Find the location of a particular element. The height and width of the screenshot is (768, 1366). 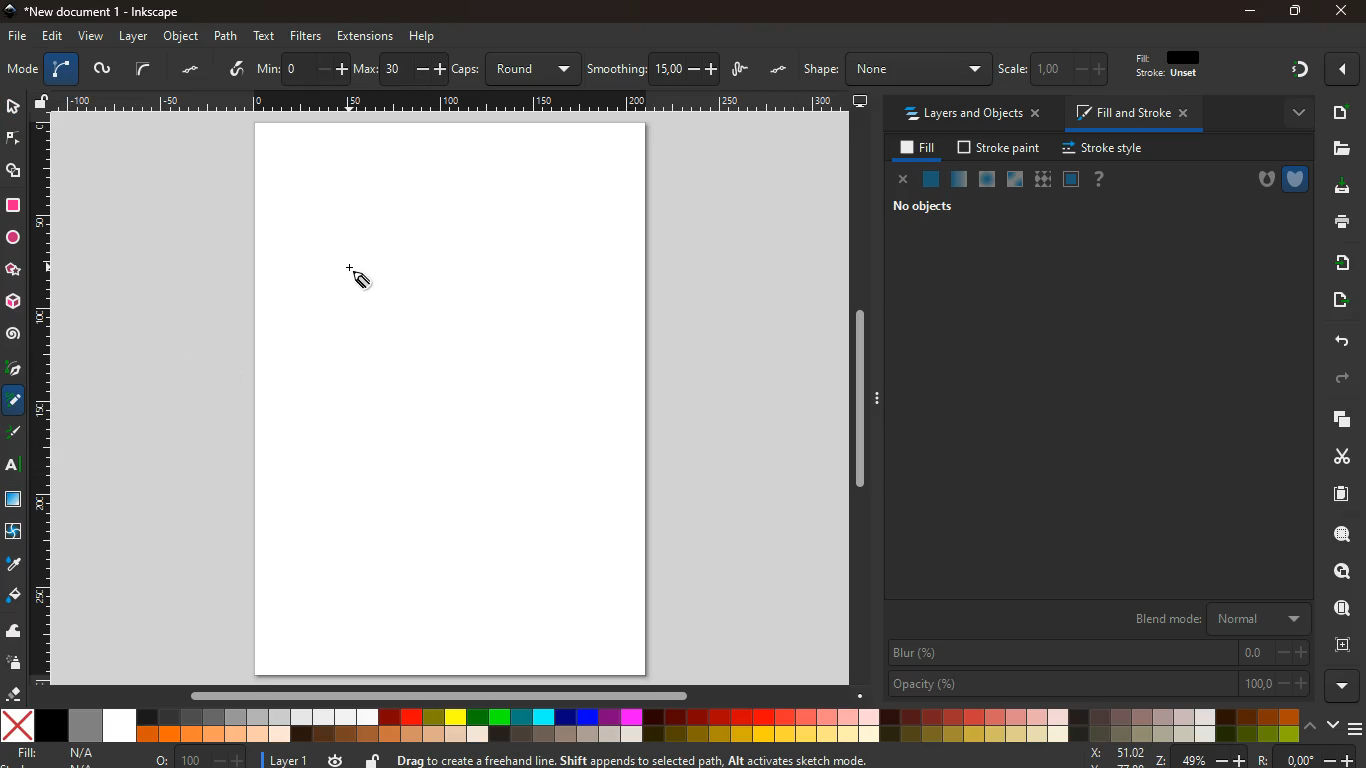

node is located at coordinates (15, 137).